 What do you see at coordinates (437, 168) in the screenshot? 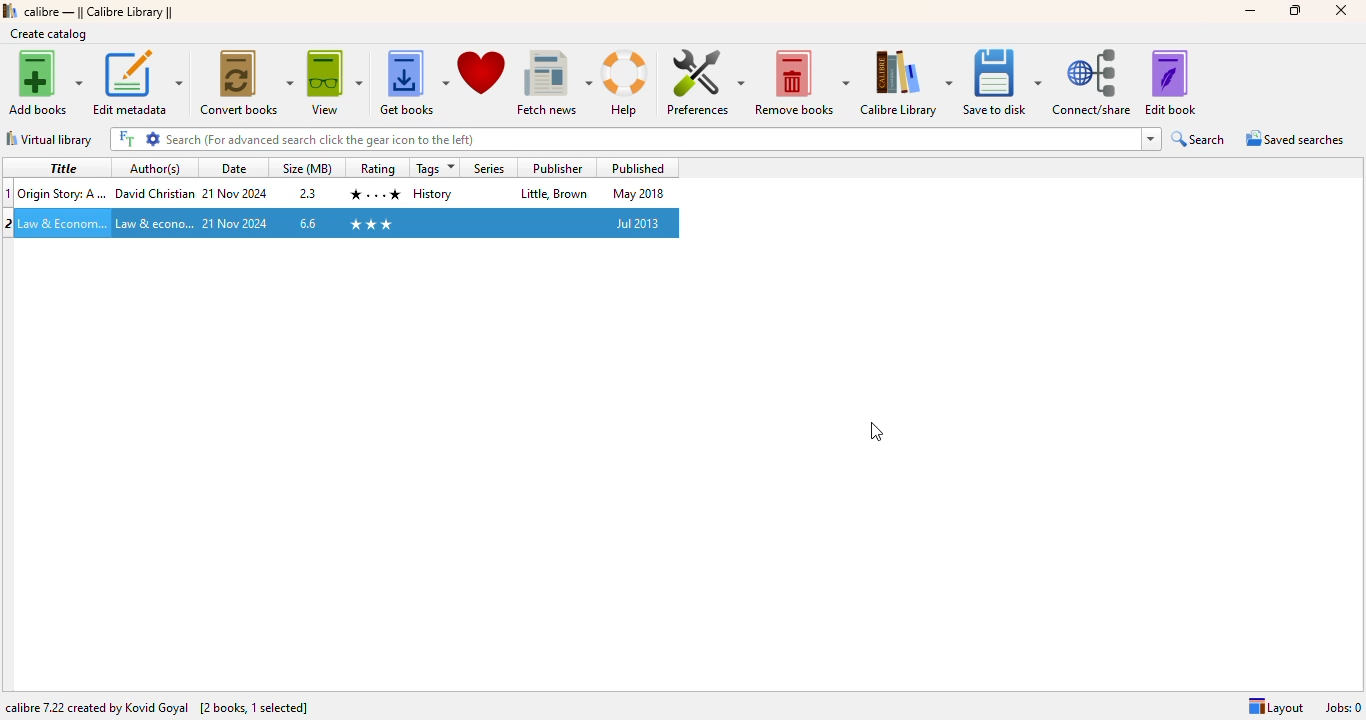
I see `tags` at bounding box center [437, 168].